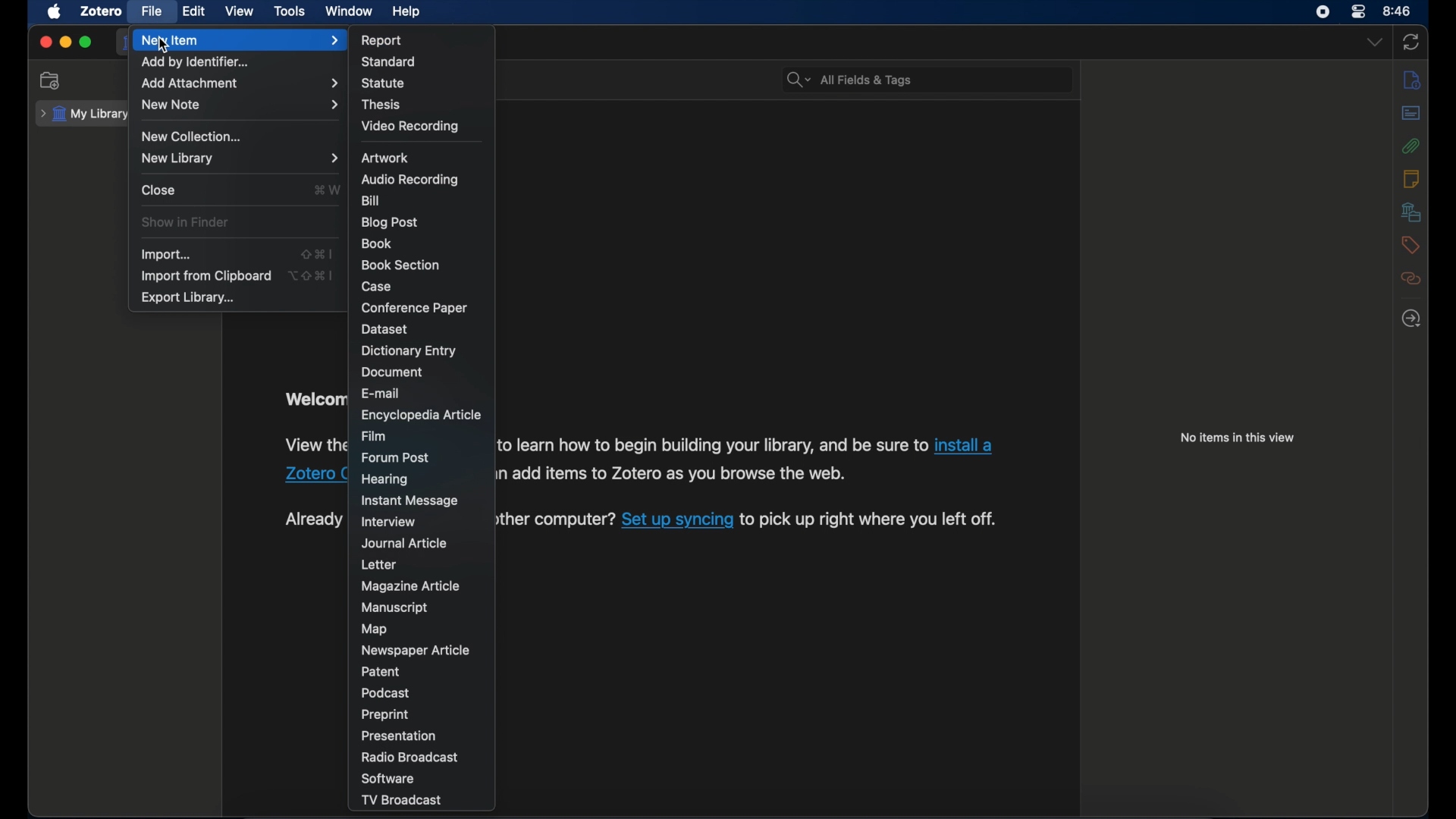  Describe the element at coordinates (676, 475) in the screenshot. I see `View the Quick Start Guide to learn how to begin building your library, and be sure to install a
Zotero Connector so you can add items to Zotero as you browse the web.` at that location.